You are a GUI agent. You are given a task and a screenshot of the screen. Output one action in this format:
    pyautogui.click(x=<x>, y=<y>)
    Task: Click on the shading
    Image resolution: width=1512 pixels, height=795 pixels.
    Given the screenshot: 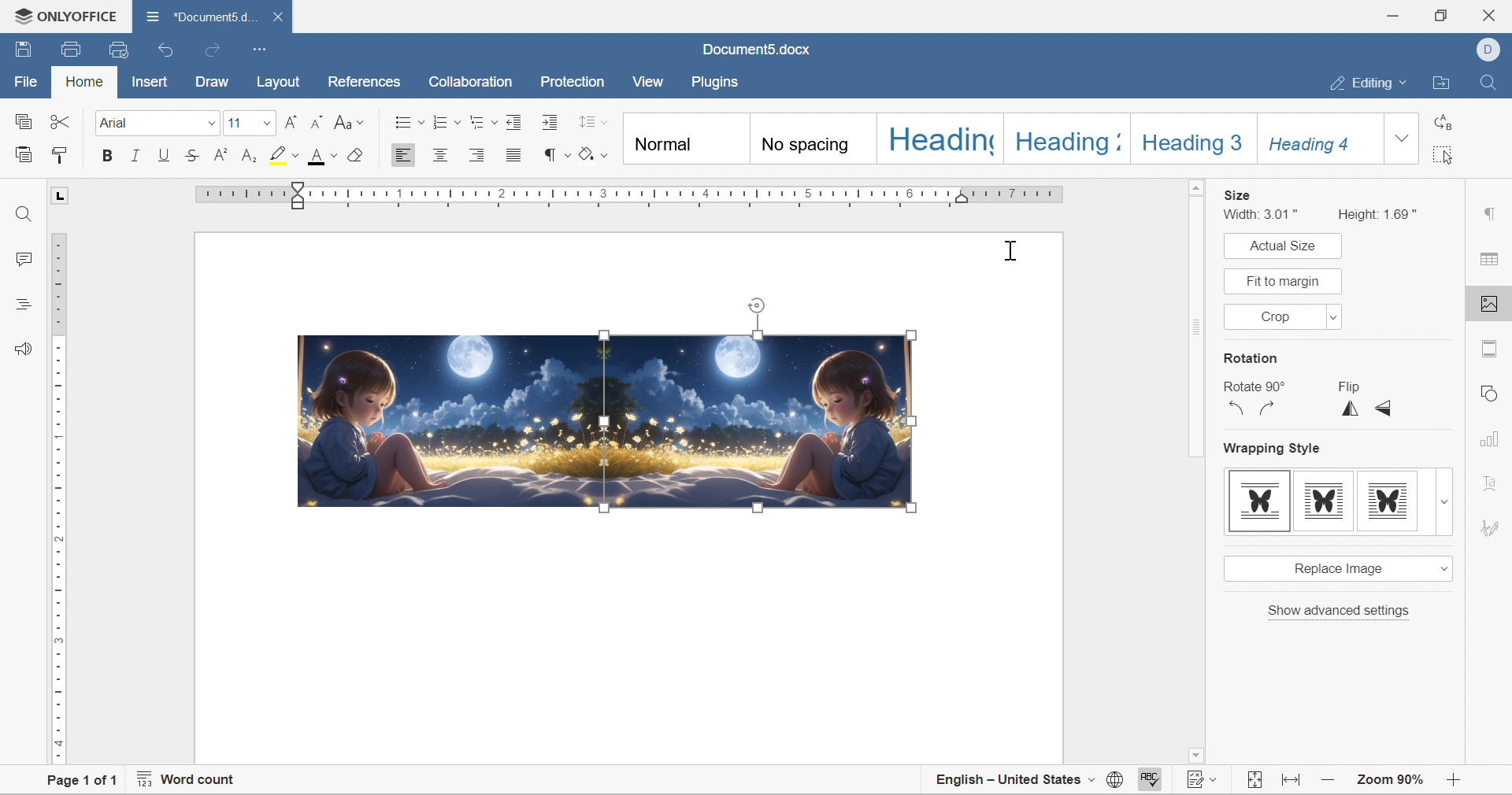 What is the action you would take?
    pyautogui.click(x=594, y=152)
    